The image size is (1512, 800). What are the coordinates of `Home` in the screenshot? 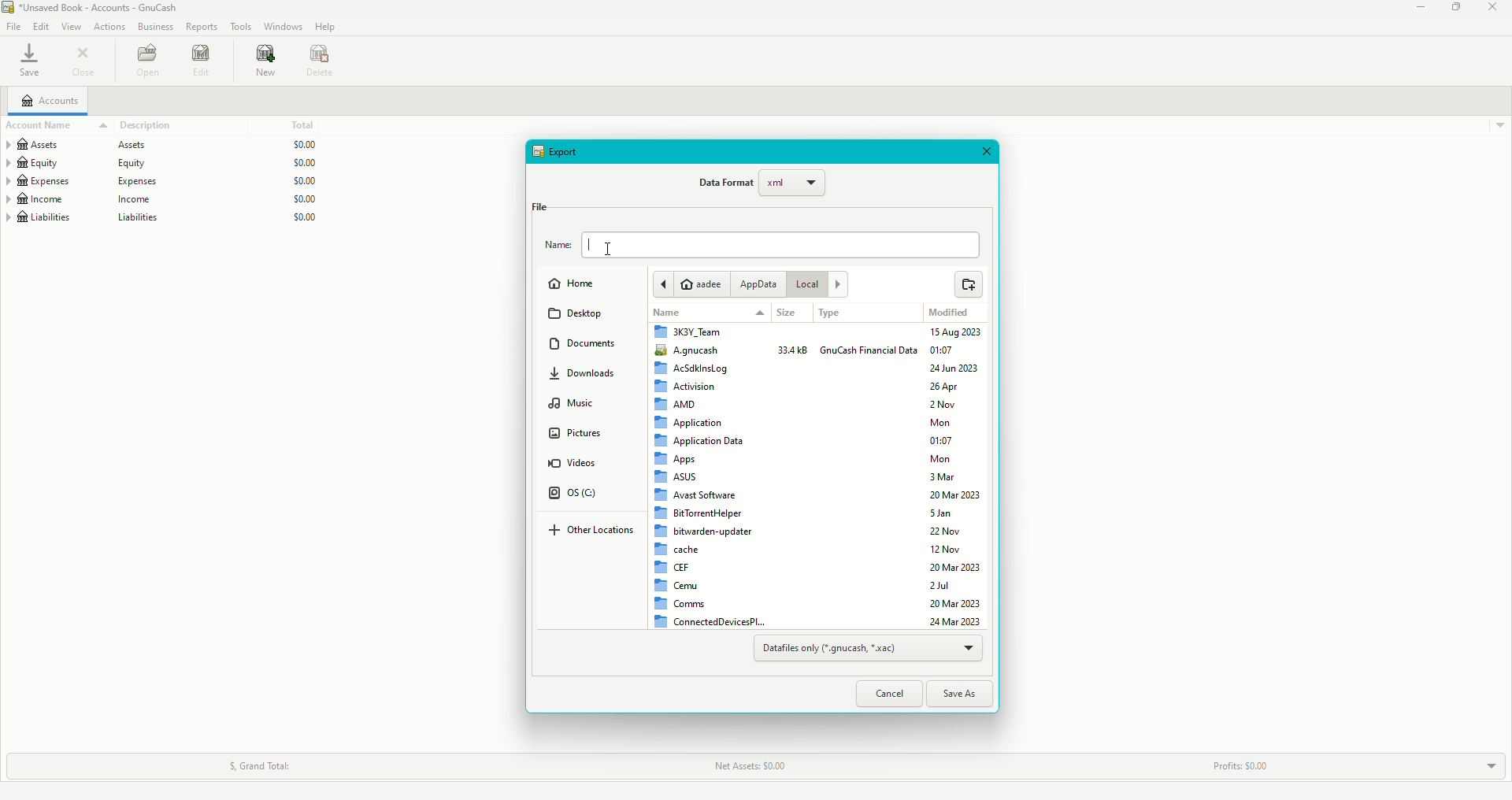 It's located at (576, 286).